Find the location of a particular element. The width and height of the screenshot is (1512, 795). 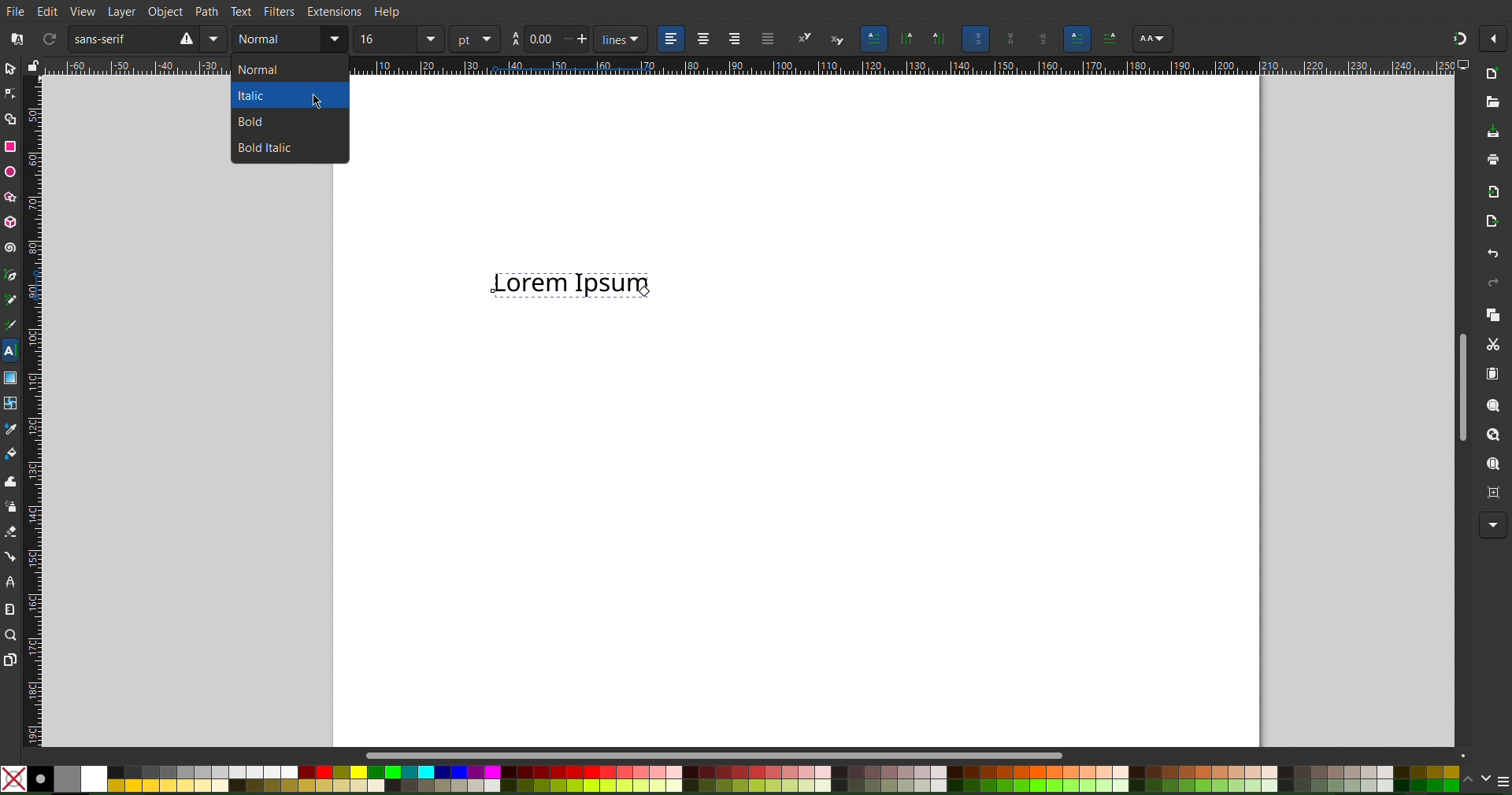

Spray Tool is located at coordinates (11, 505).